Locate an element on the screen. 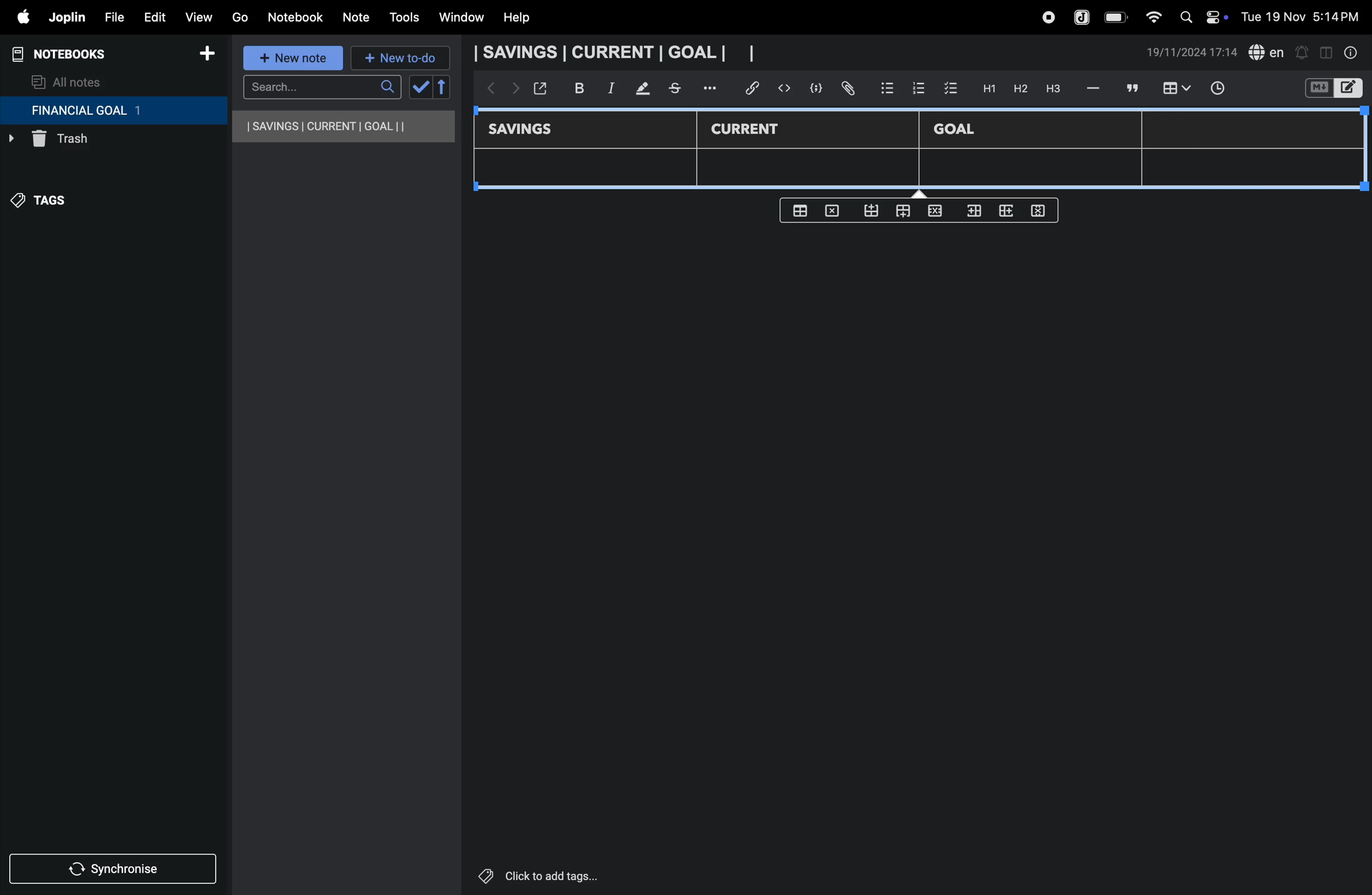  heading 3 is located at coordinates (1053, 89).